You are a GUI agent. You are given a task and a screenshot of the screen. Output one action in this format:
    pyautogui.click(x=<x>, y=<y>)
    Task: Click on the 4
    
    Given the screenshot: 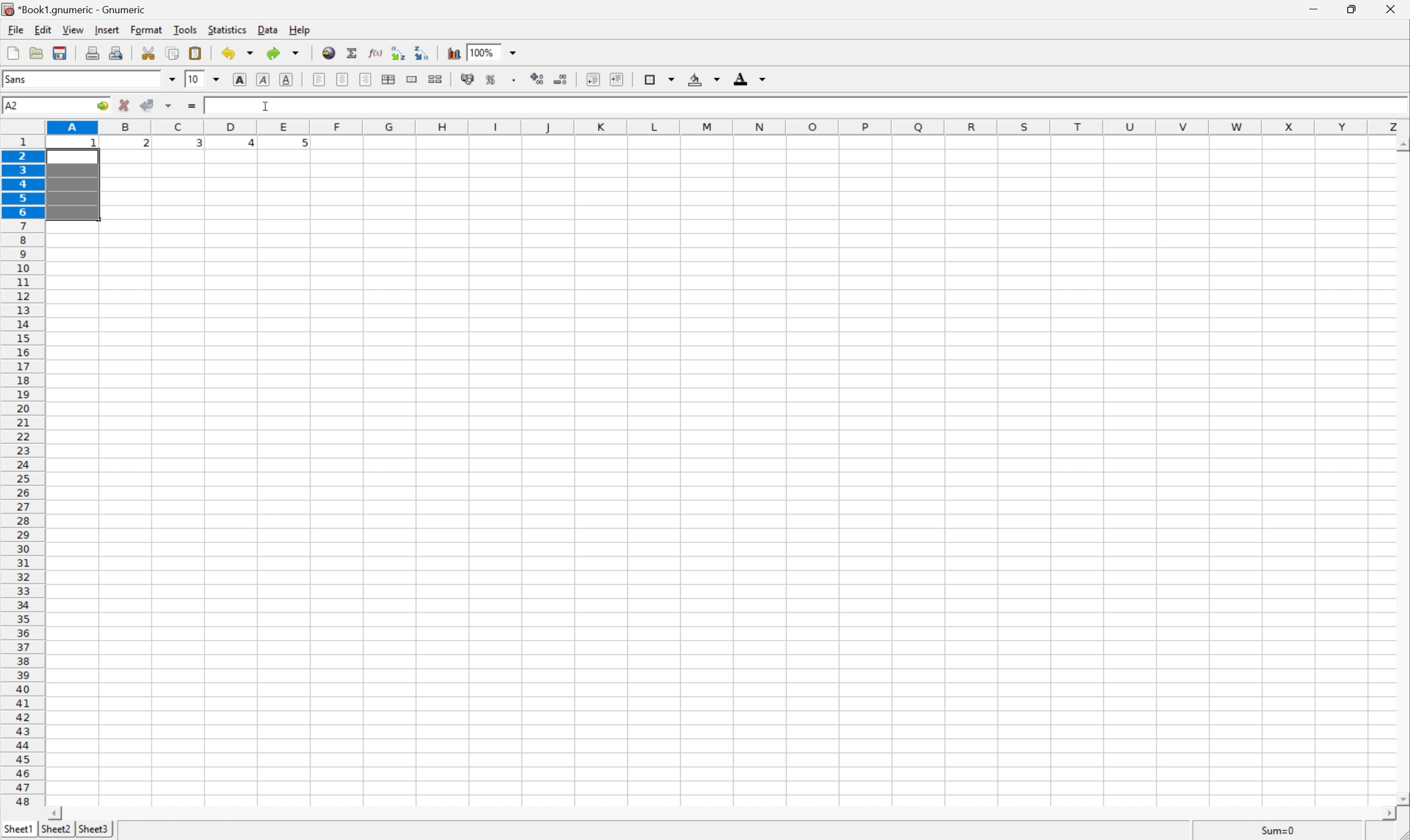 What is the action you would take?
    pyautogui.click(x=246, y=144)
    